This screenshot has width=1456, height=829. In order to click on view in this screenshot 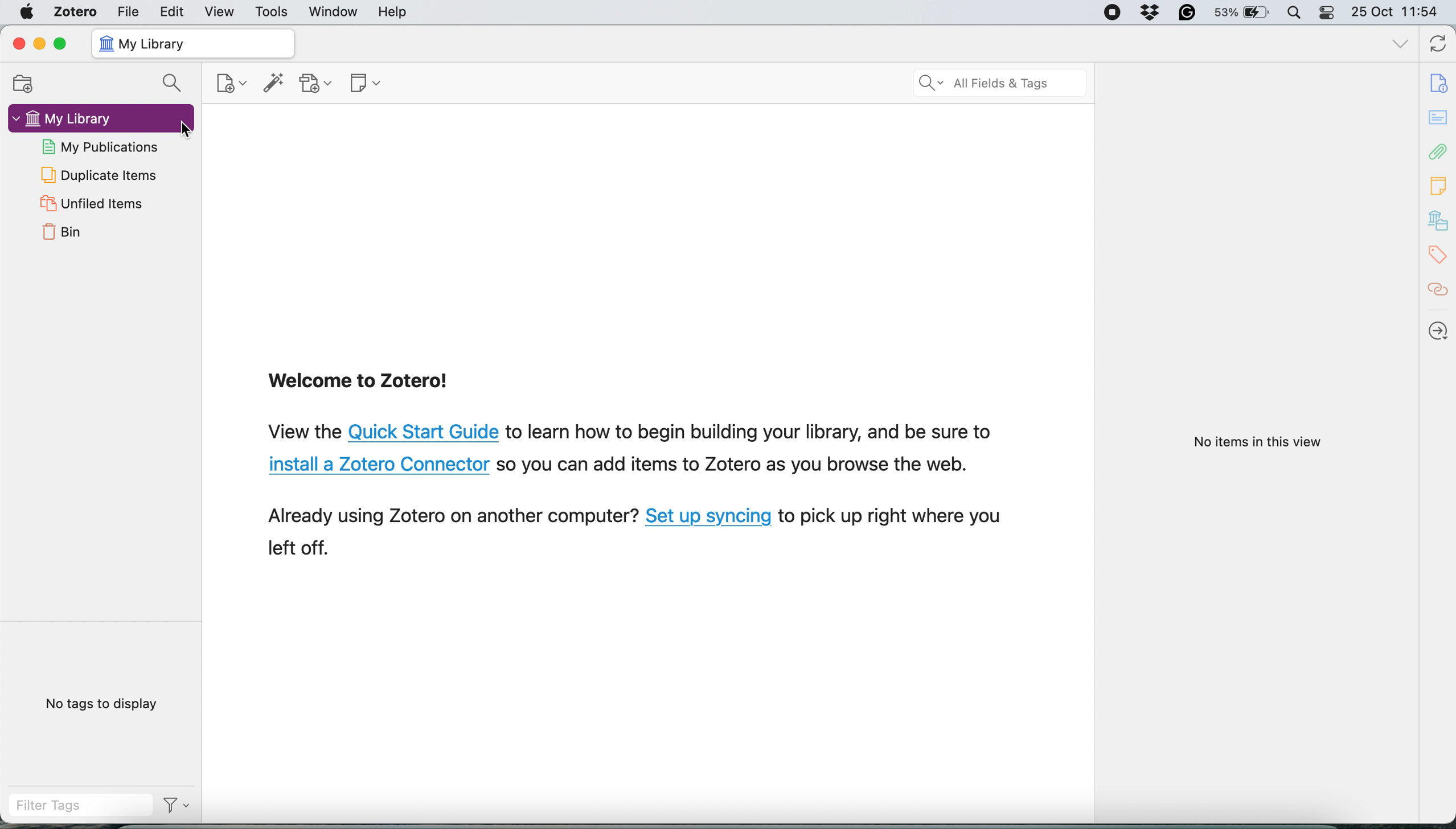, I will do `click(214, 12)`.